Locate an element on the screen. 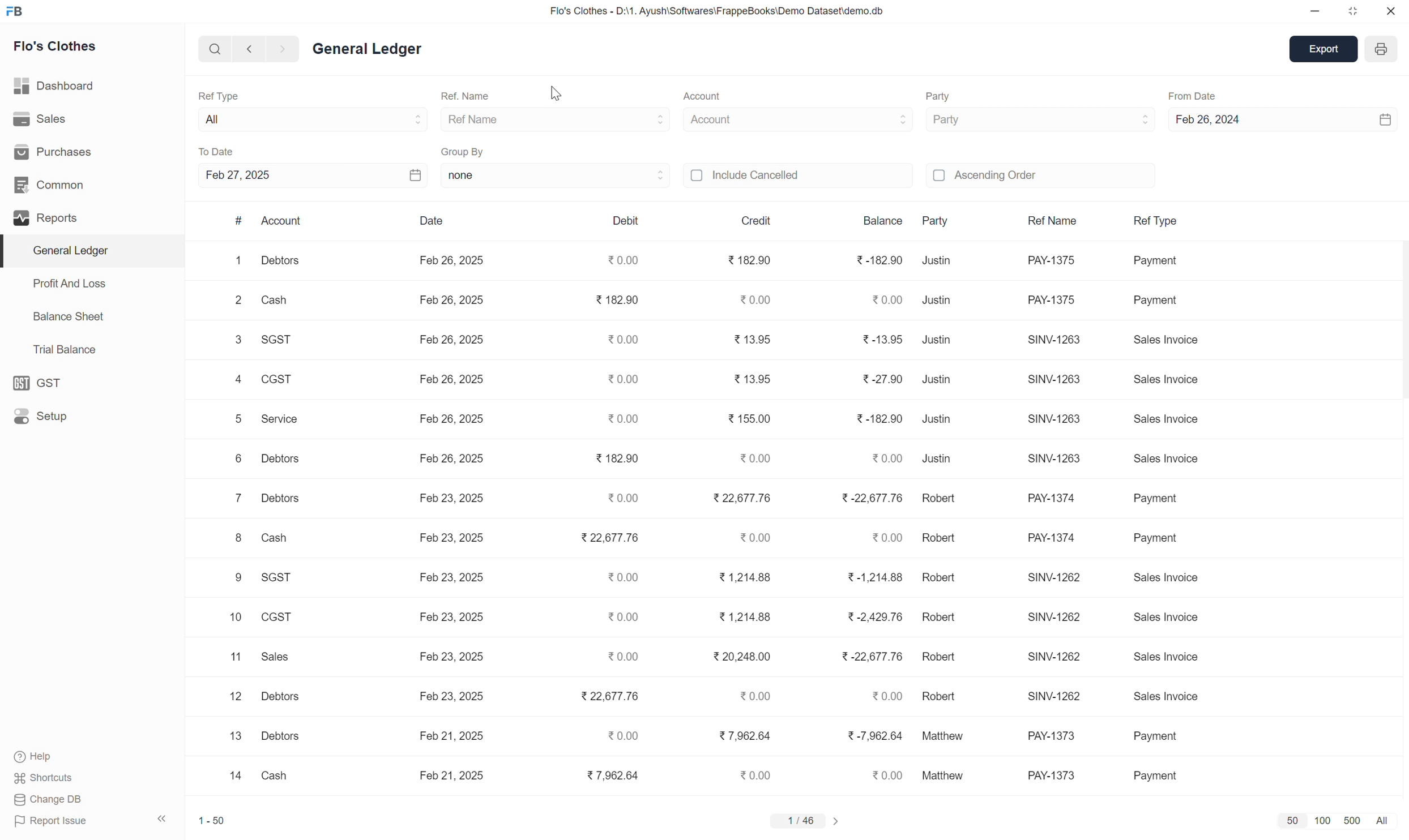 Image resolution: width=1409 pixels, height=840 pixels. balance sheet is located at coordinates (71, 319).